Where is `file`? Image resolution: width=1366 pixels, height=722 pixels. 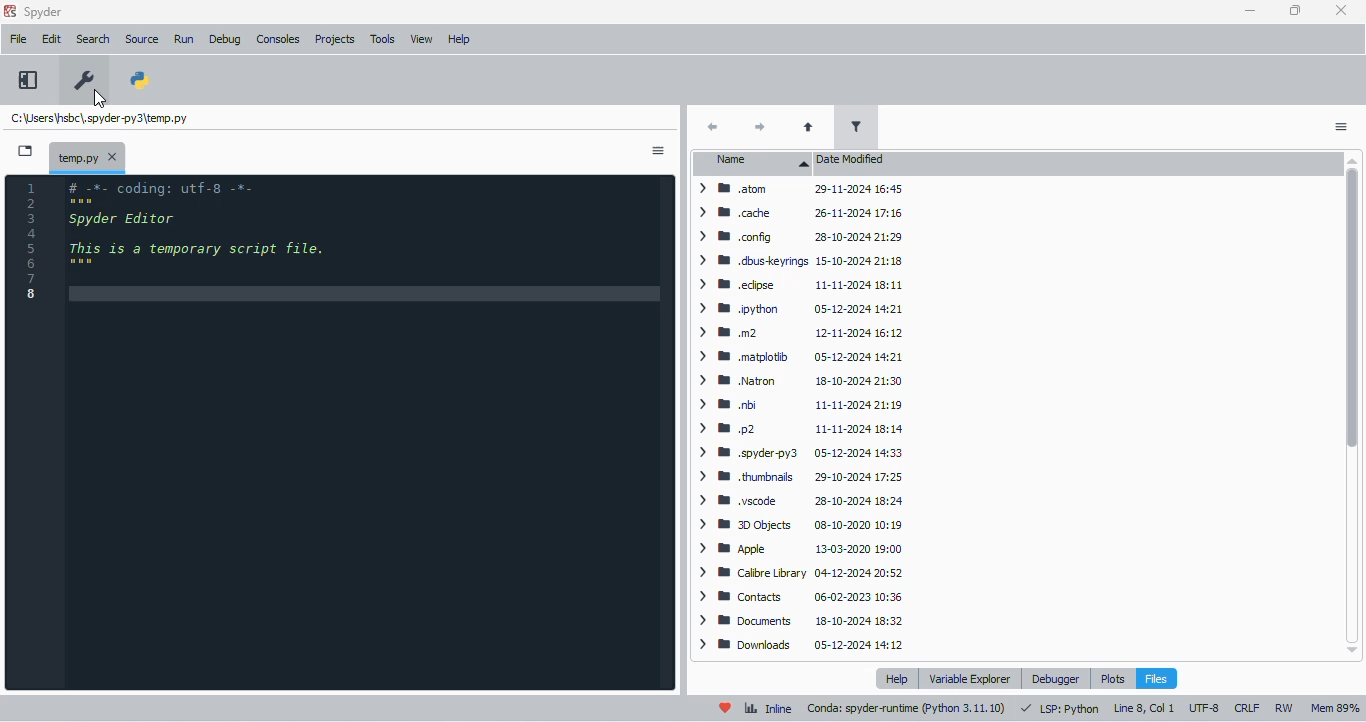 file is located at coordinates (17, 38).